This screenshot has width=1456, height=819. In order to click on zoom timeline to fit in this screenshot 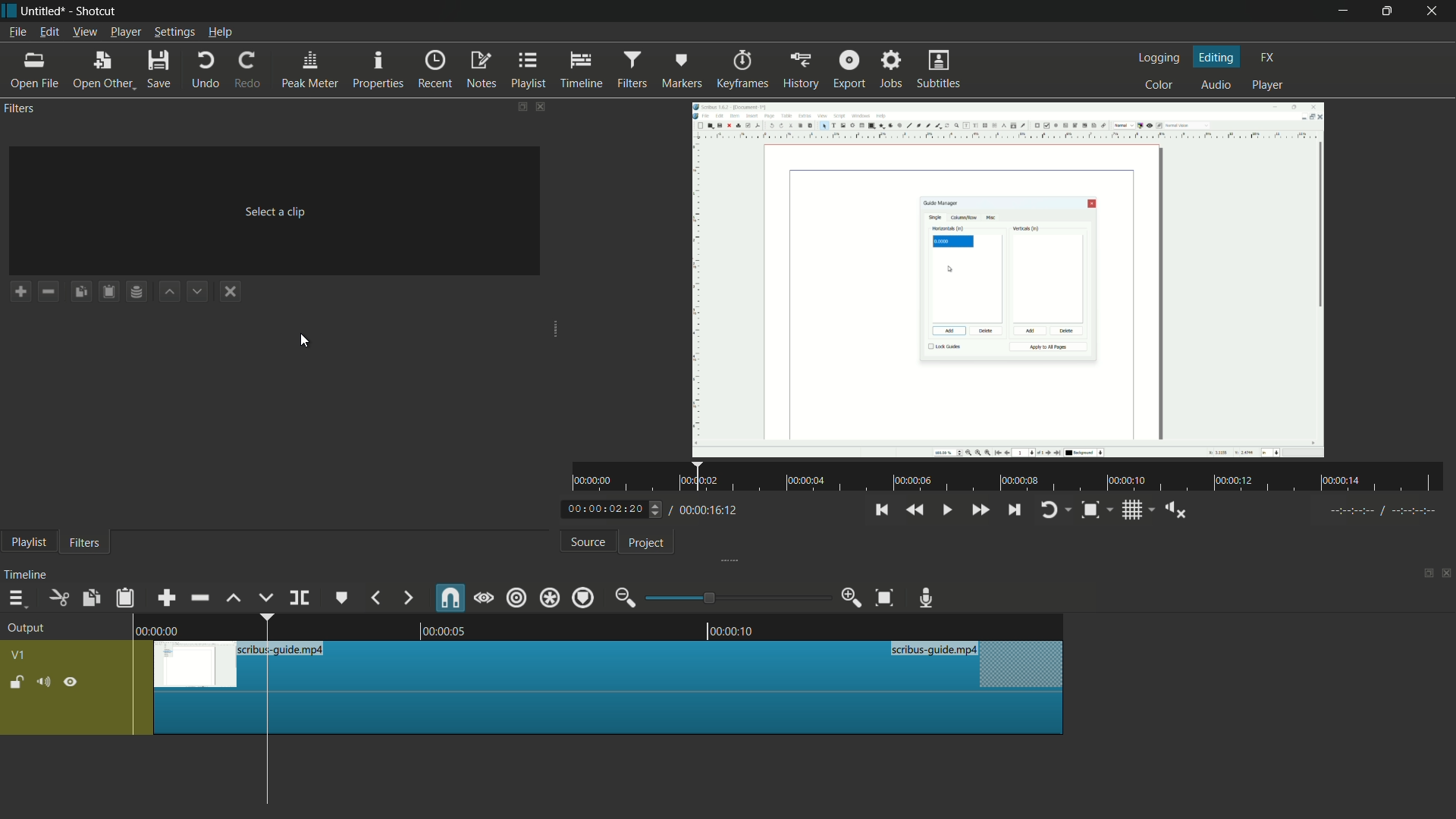, I will do `click(885, 598)`.